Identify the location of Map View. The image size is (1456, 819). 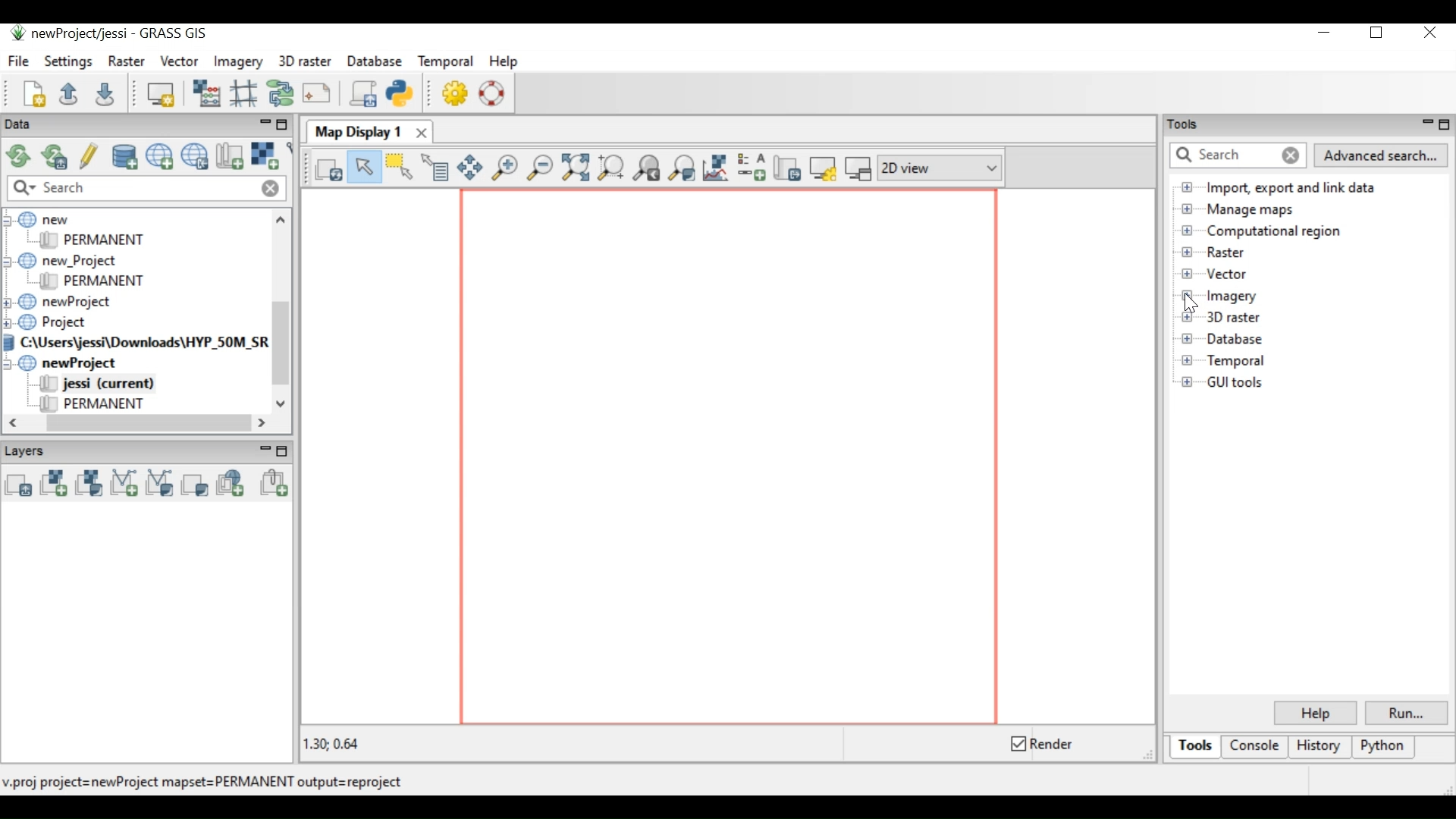
(728, 456).